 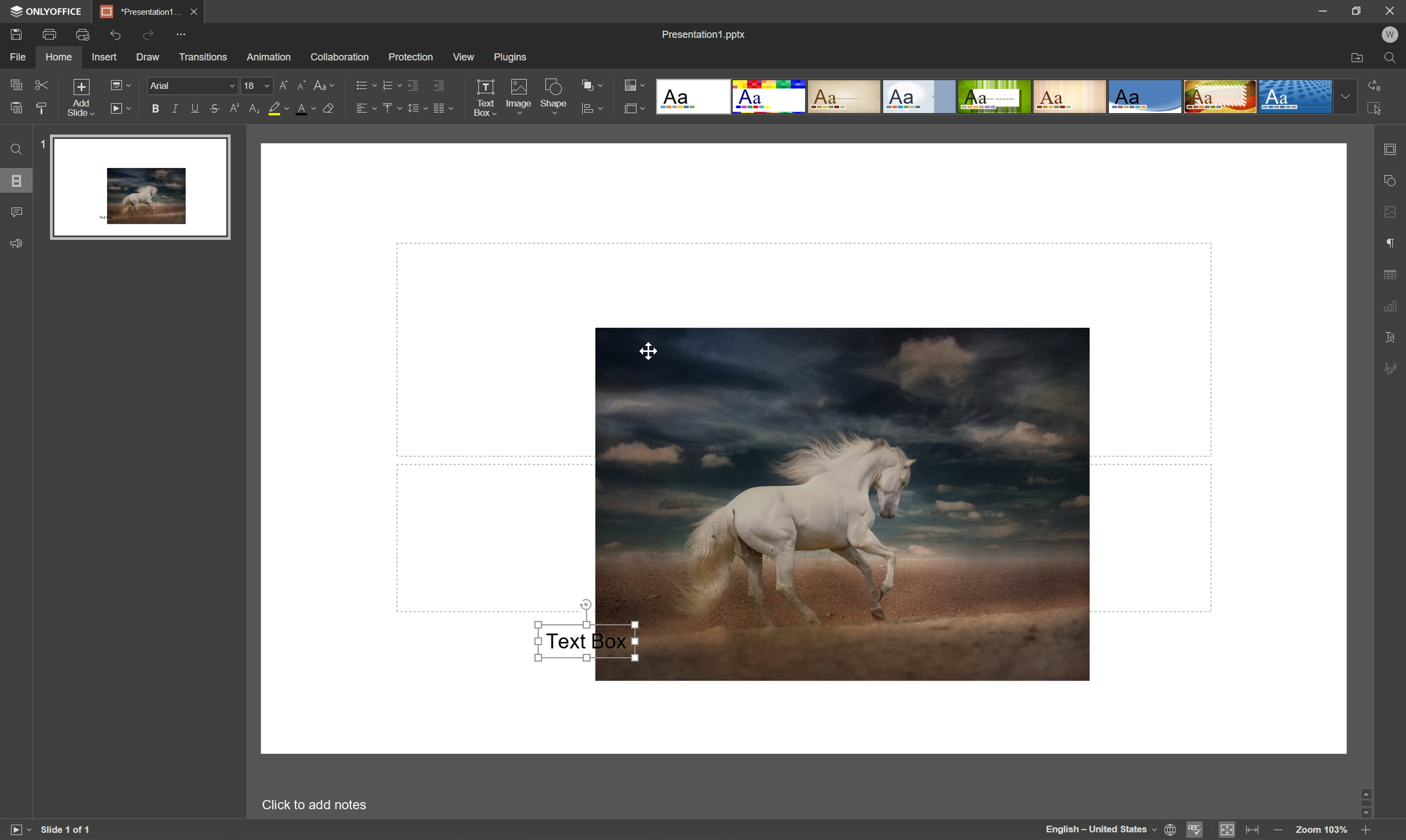 What do you see at coordinates (1172, 831) in the screenshot?
I see `Set document language` at bounding box center [1172, 831].